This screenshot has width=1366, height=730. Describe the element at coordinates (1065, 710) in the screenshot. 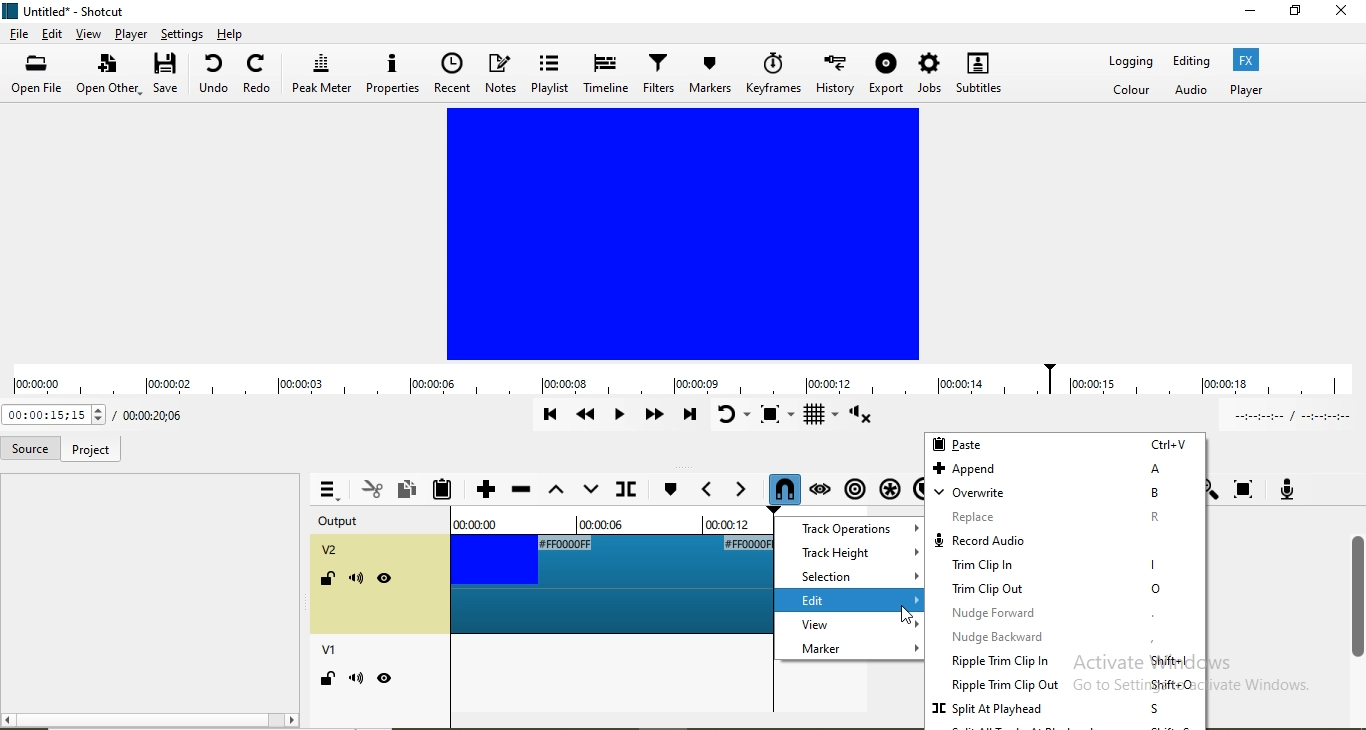

I see `split at playhead` at that location.